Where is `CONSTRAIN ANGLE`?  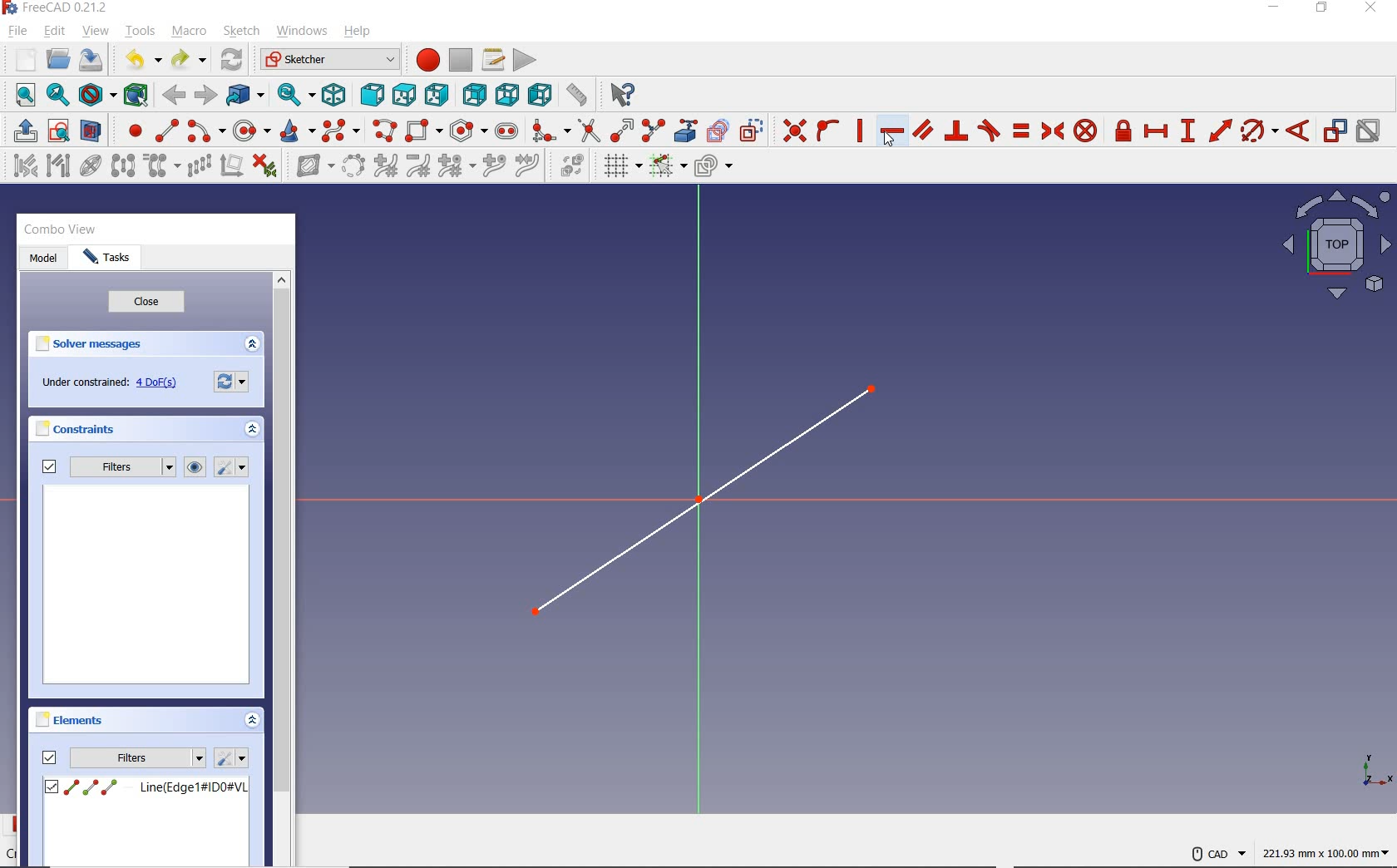 CONSTRAIN ANGLE is located at coordinates (1301, 129).